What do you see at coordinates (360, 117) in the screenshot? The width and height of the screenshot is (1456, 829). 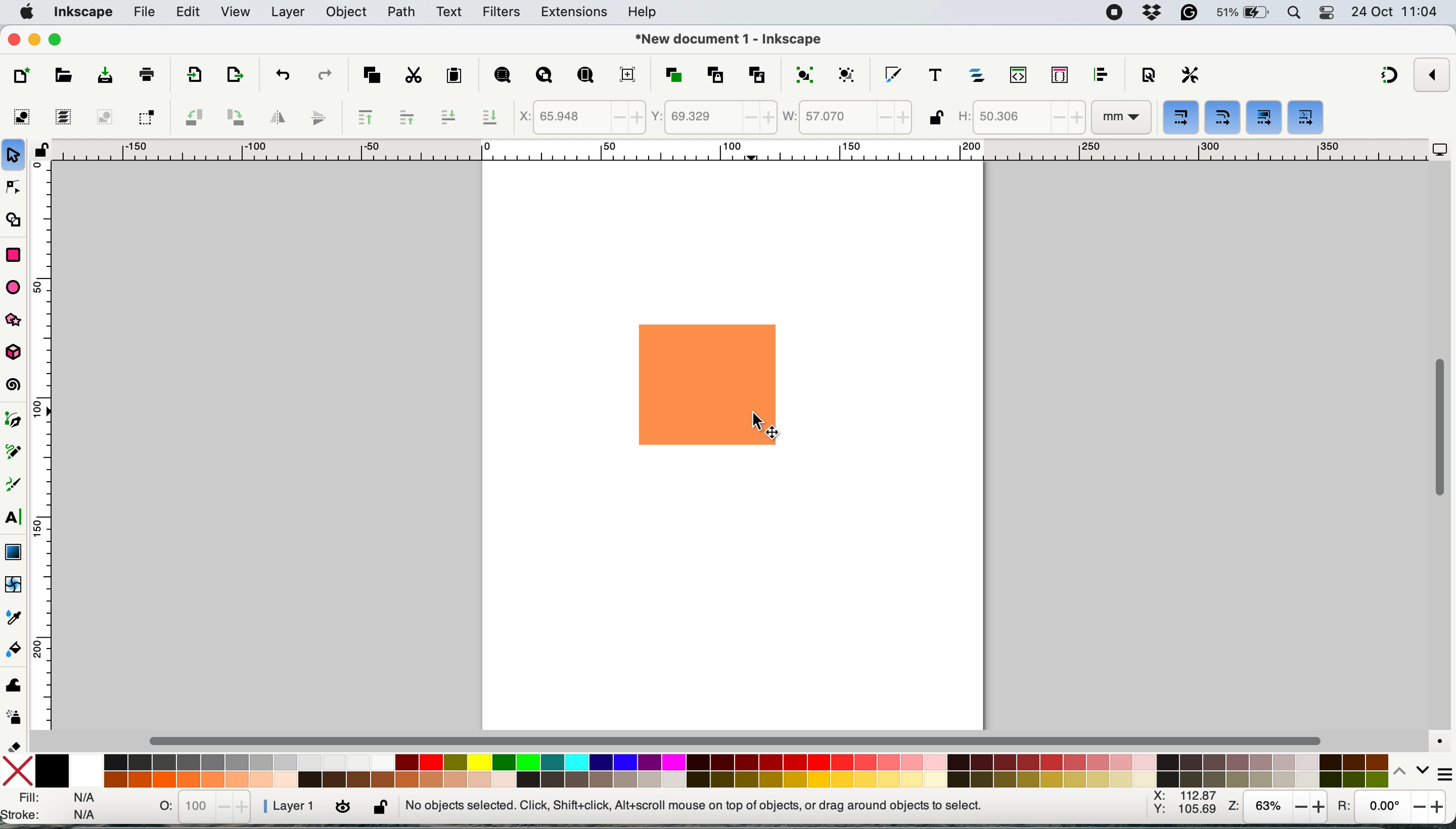 I see `raise selection to top` at bounding box center [360, 117].